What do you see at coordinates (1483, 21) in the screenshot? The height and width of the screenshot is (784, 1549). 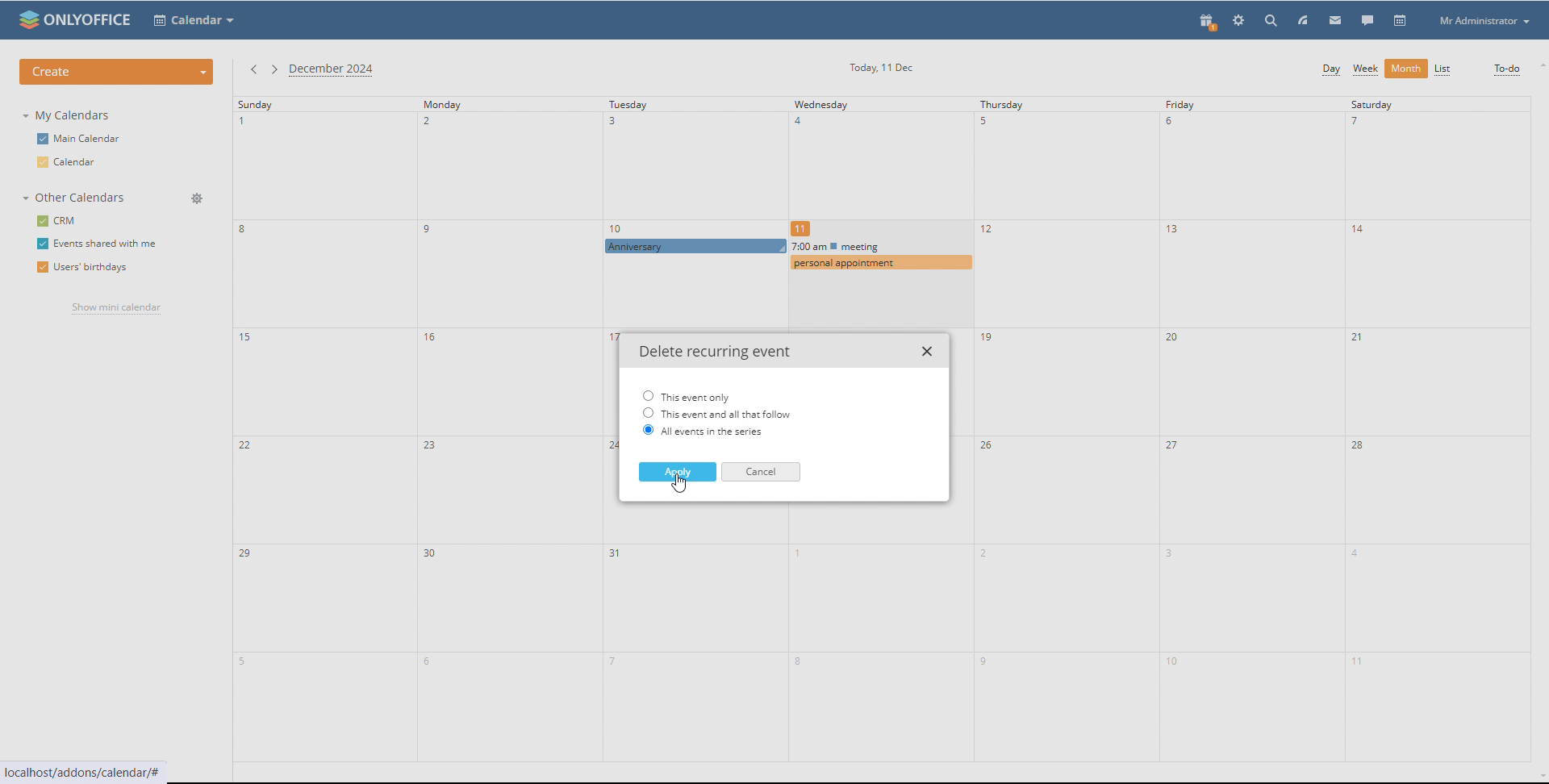 I see `profile` at bounding box center [1483, 21].